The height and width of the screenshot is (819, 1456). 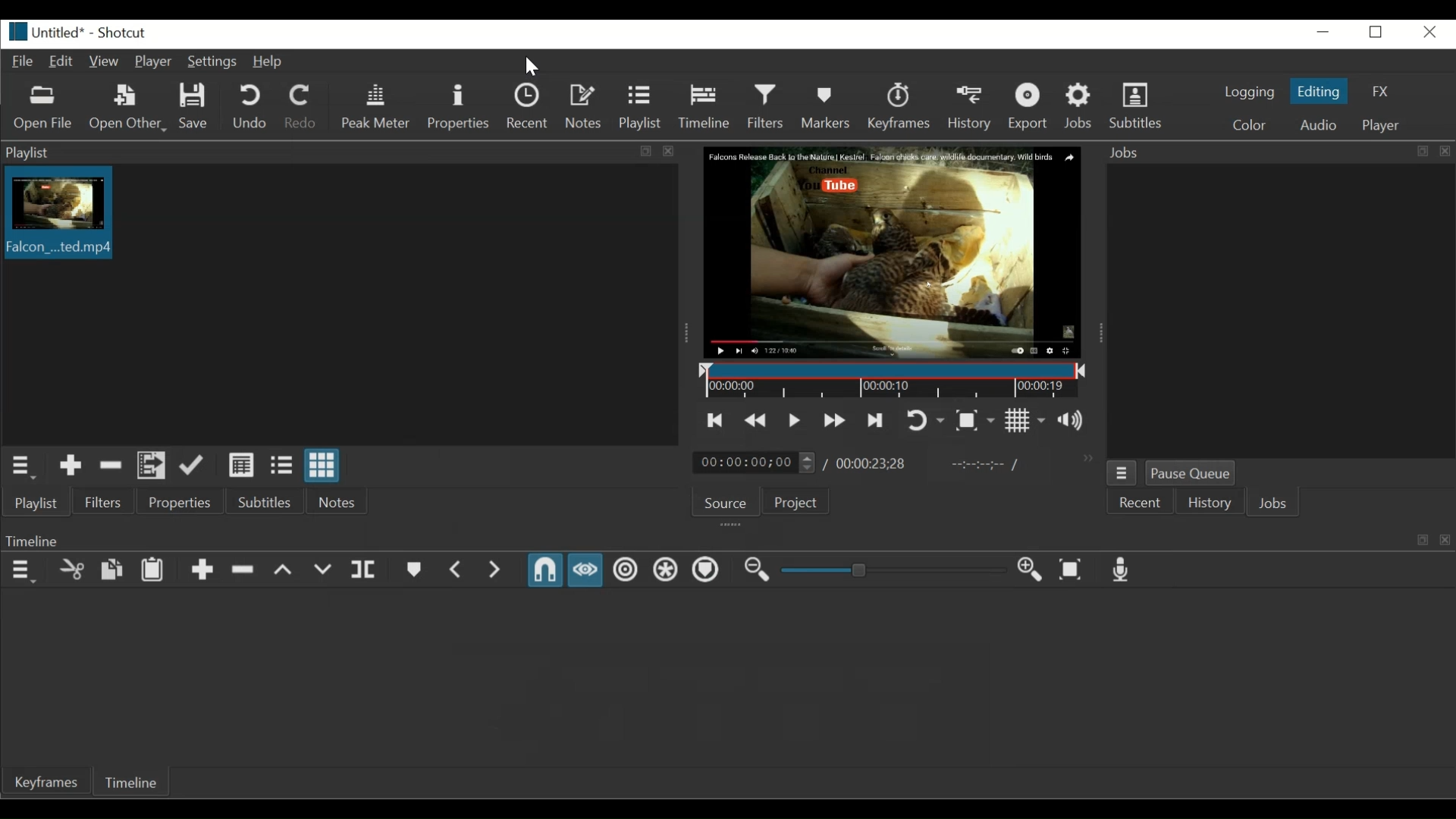 What do you see at coordinates (1196, 473) in the screenshot?
I see `Pause Queue` at bounding box center [1196, 473].